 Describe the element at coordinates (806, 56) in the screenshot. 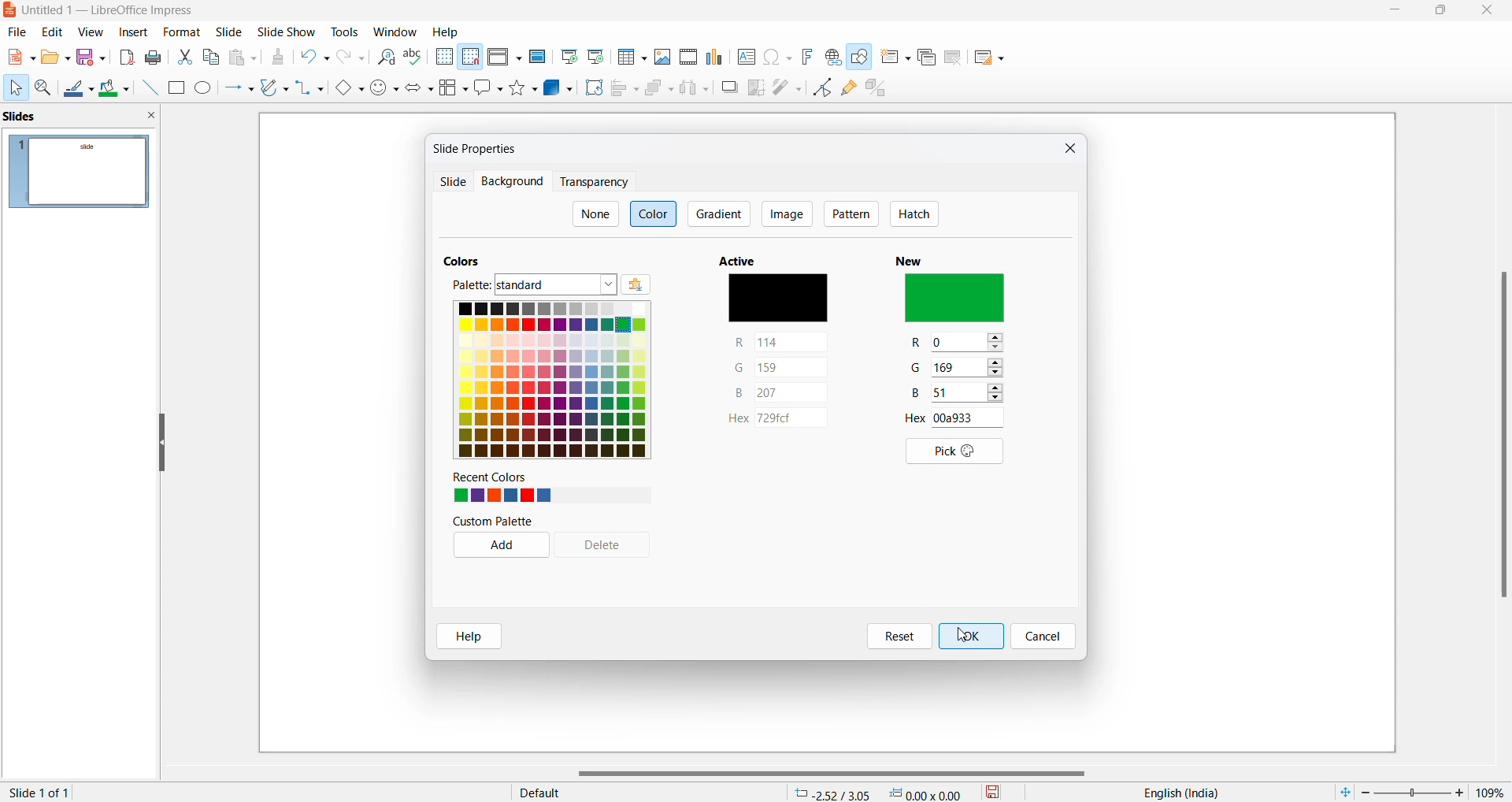

I see `insert fontwork text` at that location.